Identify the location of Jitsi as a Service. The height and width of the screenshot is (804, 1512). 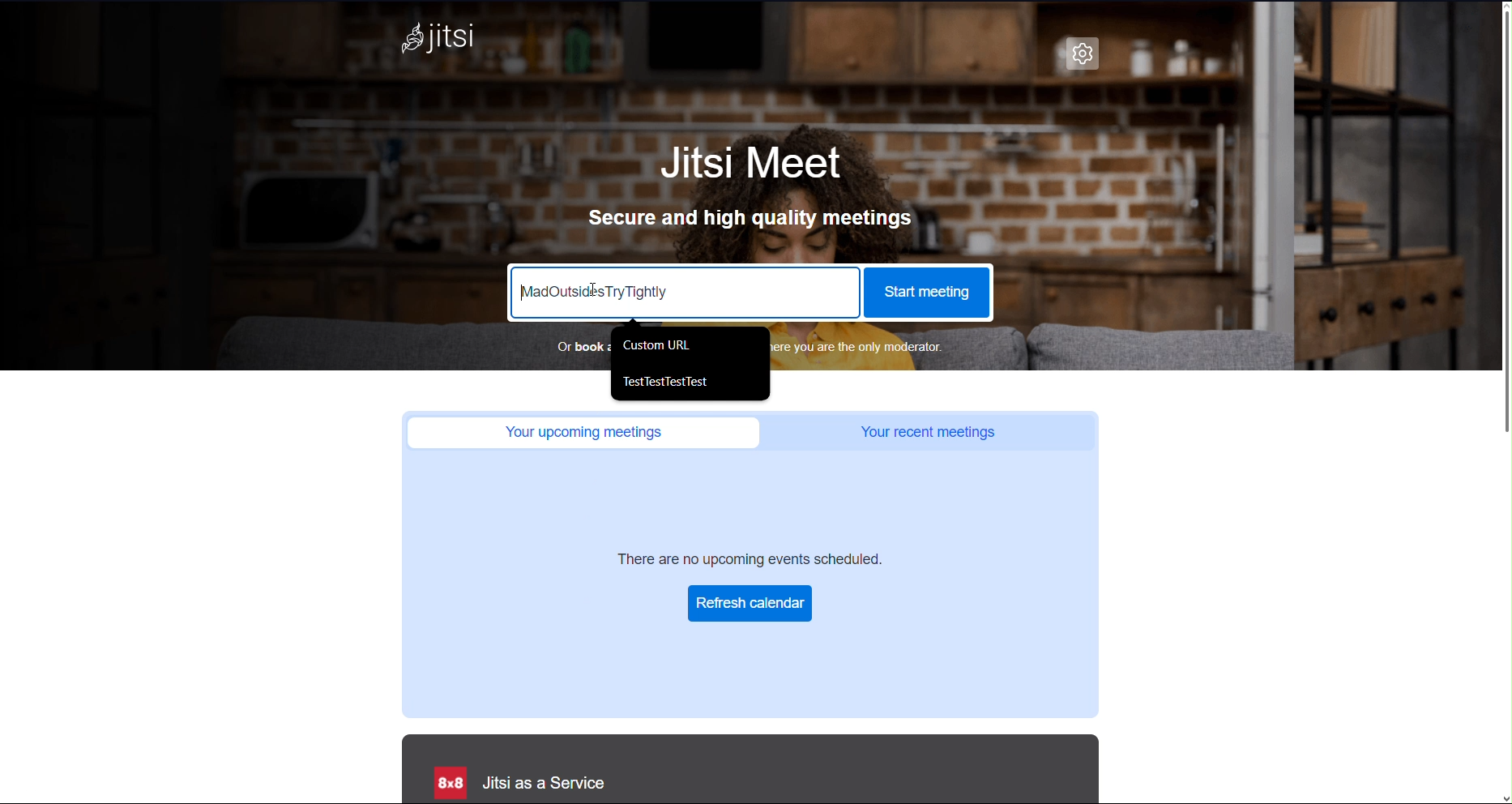
(516, 783).